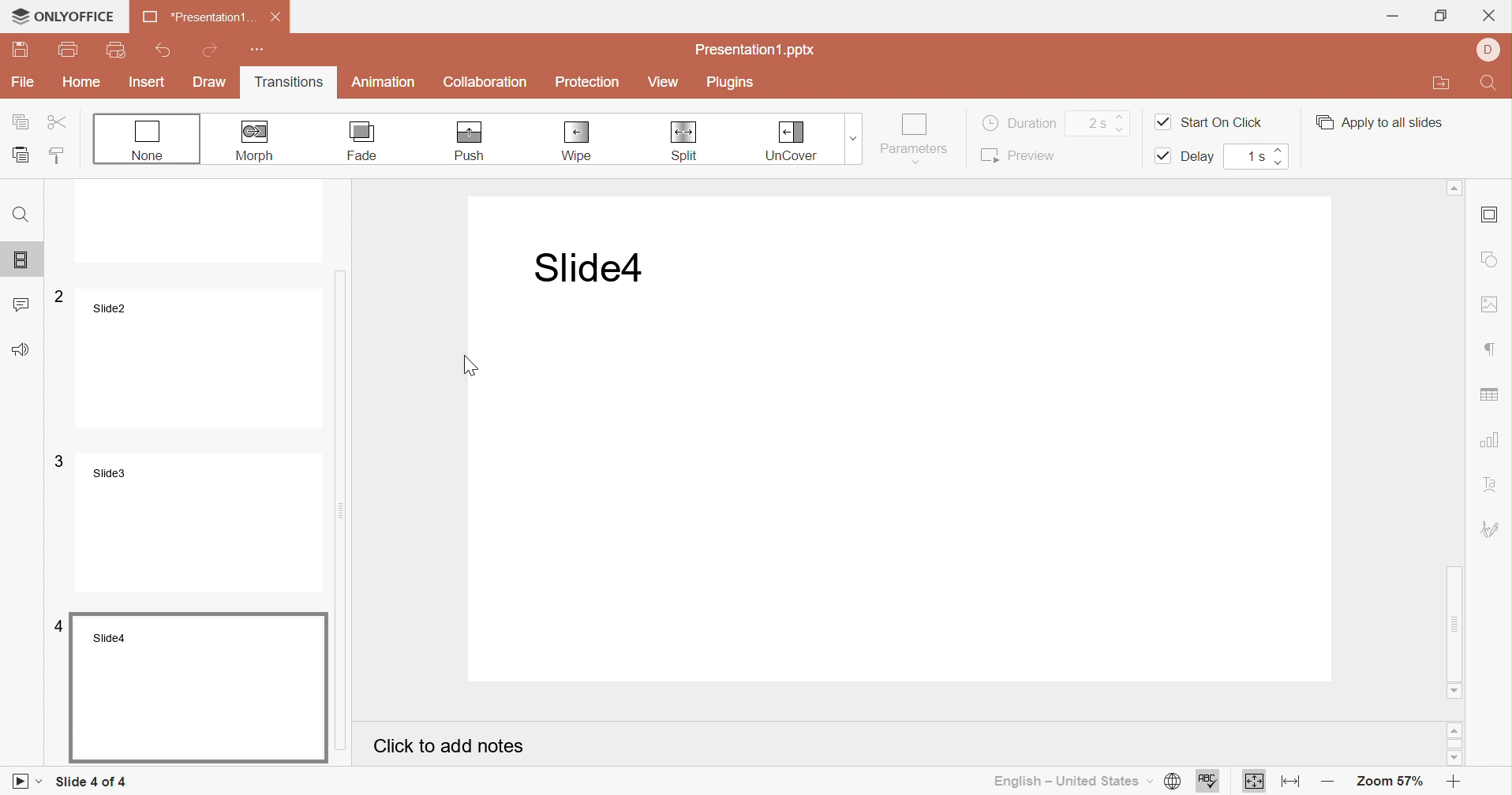  Describe the element at coordinates (24, 301) in the screenshot. I see `Comments` at that location.